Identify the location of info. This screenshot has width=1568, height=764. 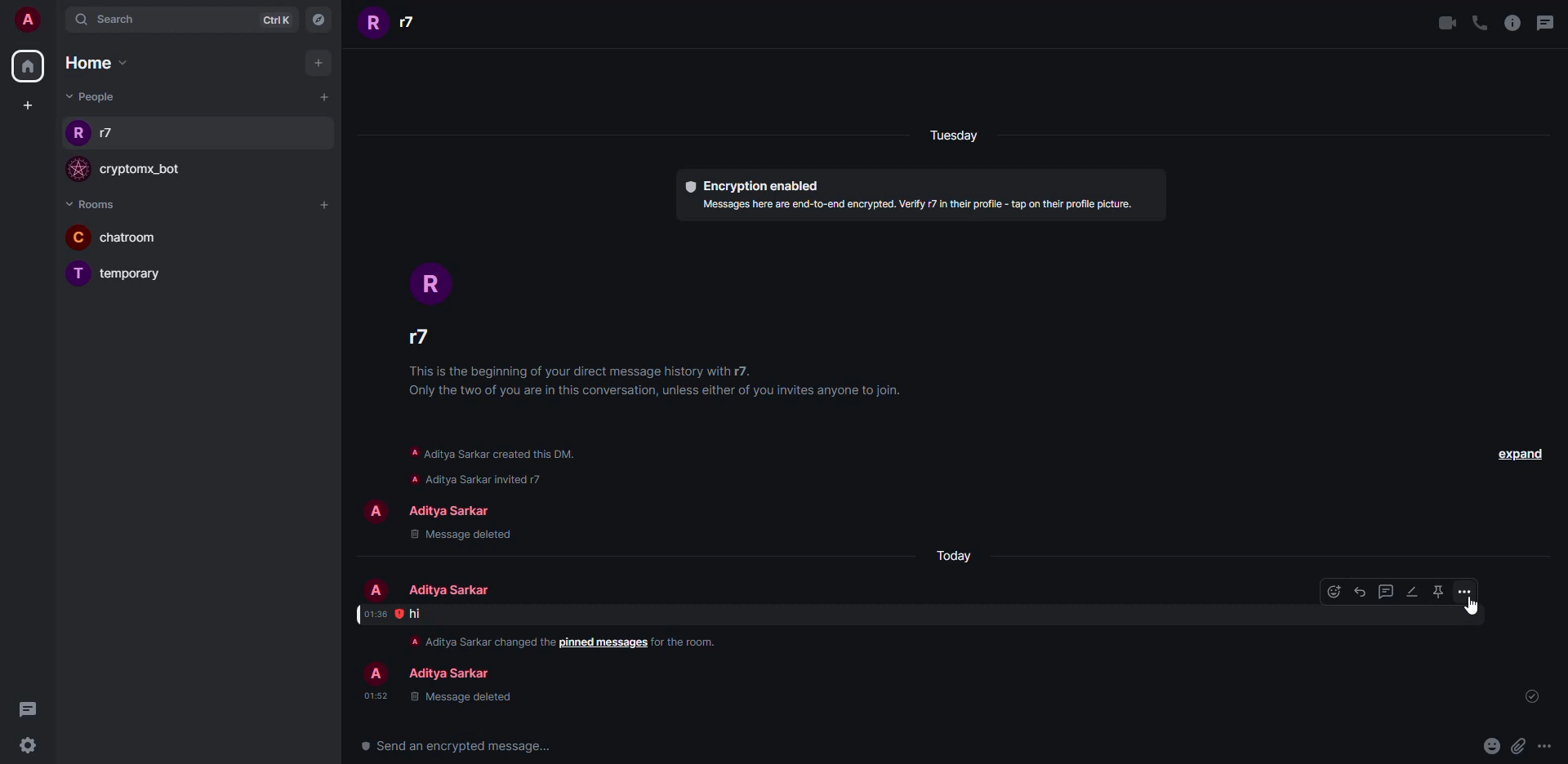
(688, 642).